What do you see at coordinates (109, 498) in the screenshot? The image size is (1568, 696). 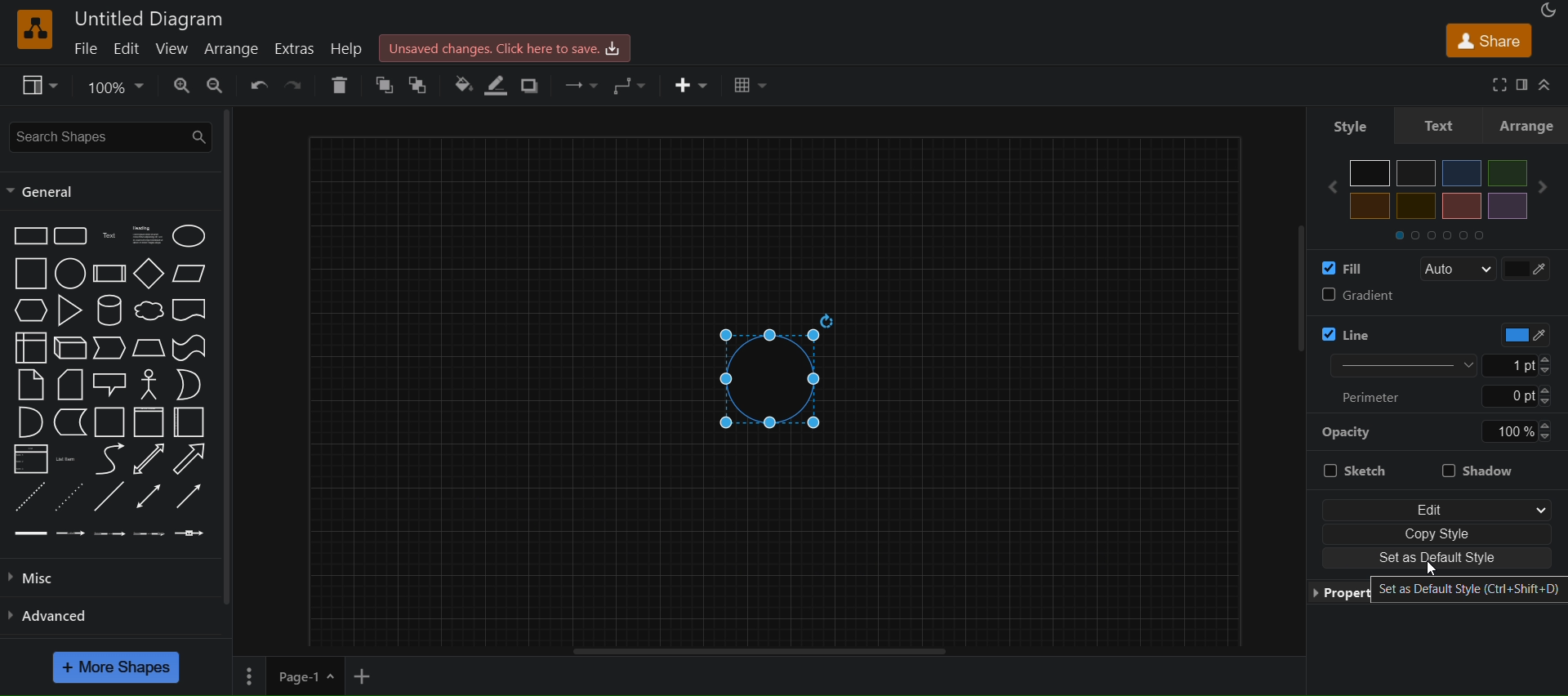 I see `line` at bounding box center [109, 498].